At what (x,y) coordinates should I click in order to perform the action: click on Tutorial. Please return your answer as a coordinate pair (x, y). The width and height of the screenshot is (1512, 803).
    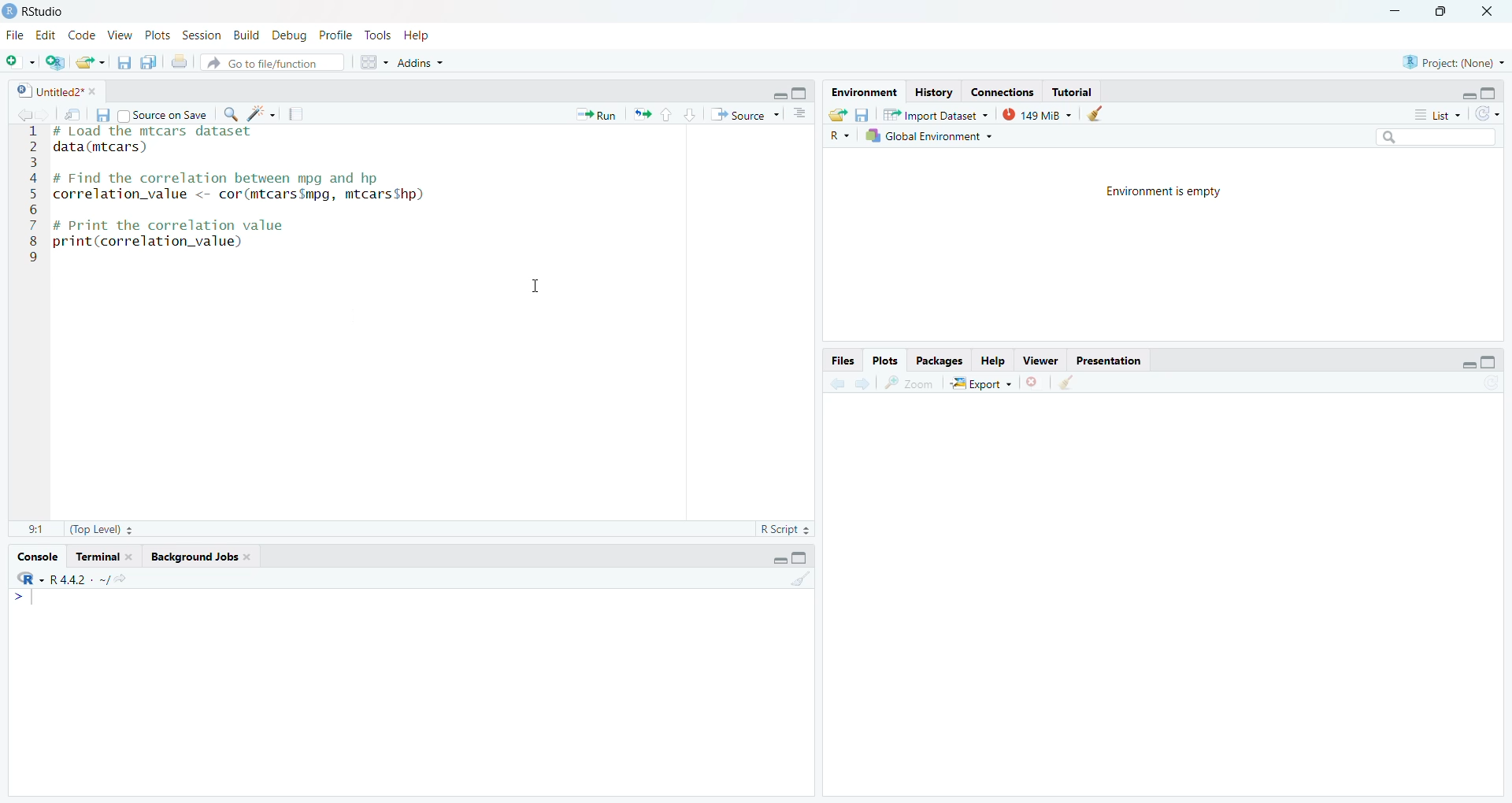
    Looking at the image, I should click on (102, 557).